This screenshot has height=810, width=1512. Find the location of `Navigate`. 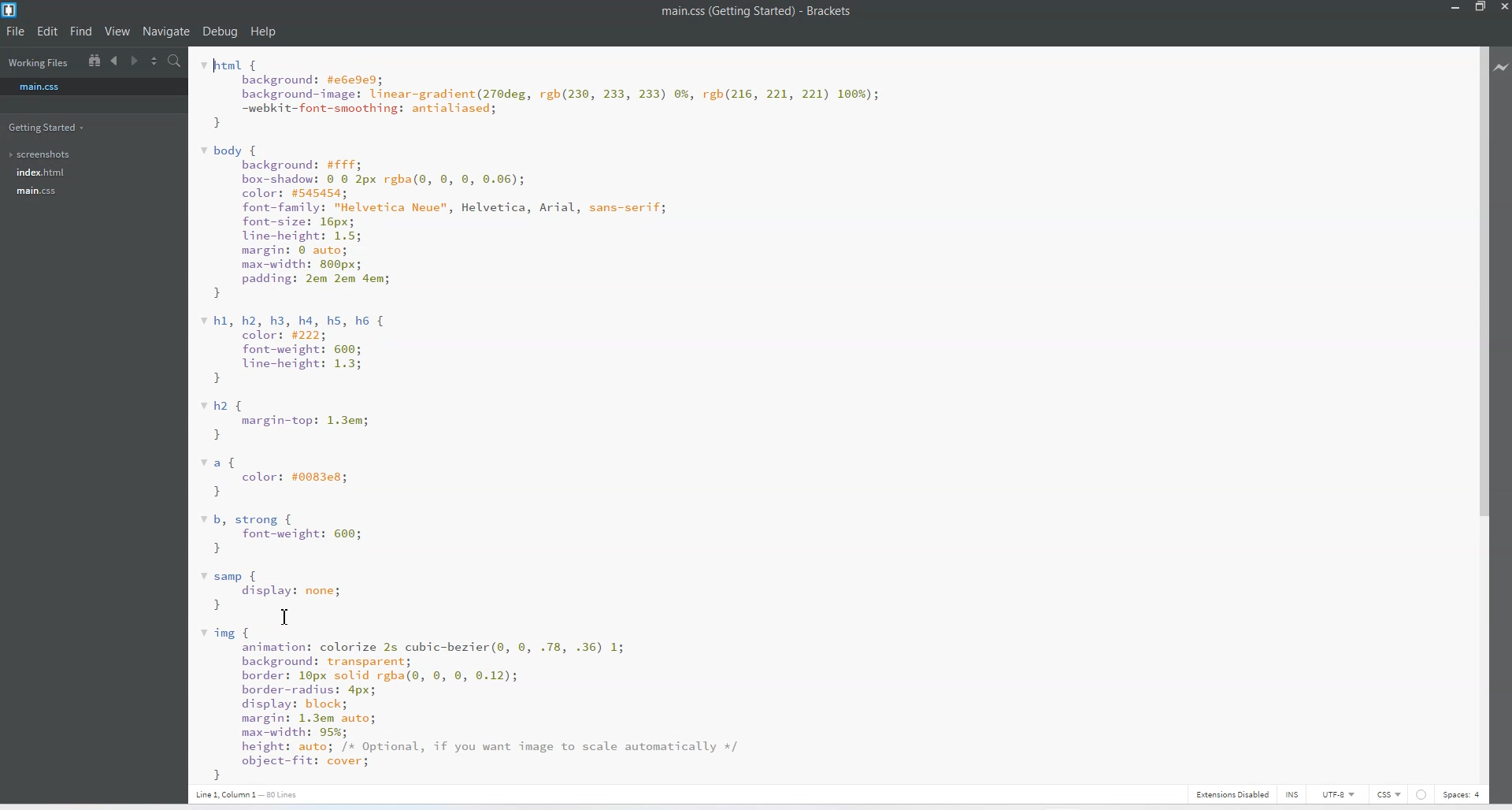

Navigate is located at coordinates (166, 32).